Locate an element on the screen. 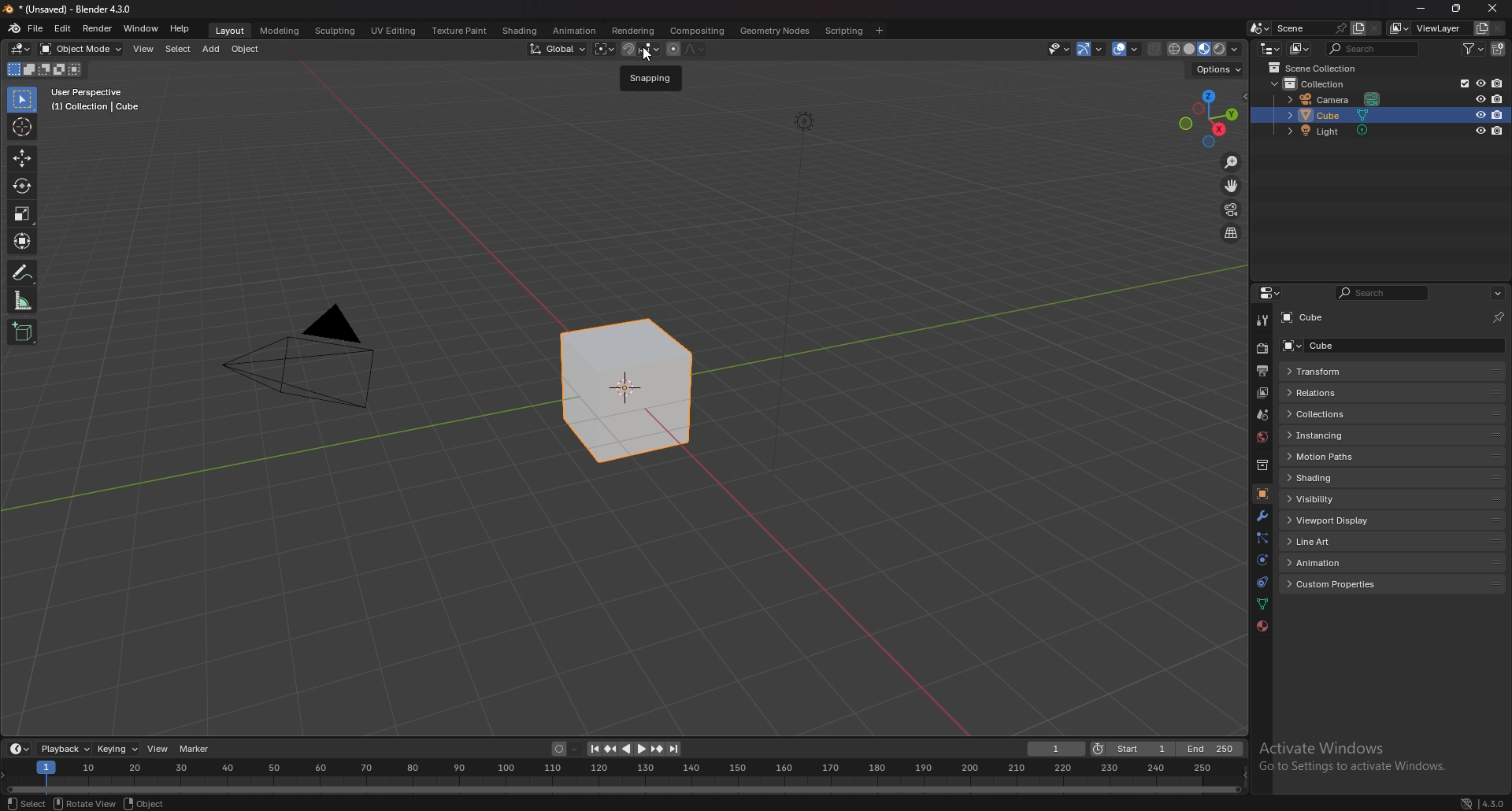 This screenshot has height=811, width=1512. add view layer is located at coordinates (1480, 28).